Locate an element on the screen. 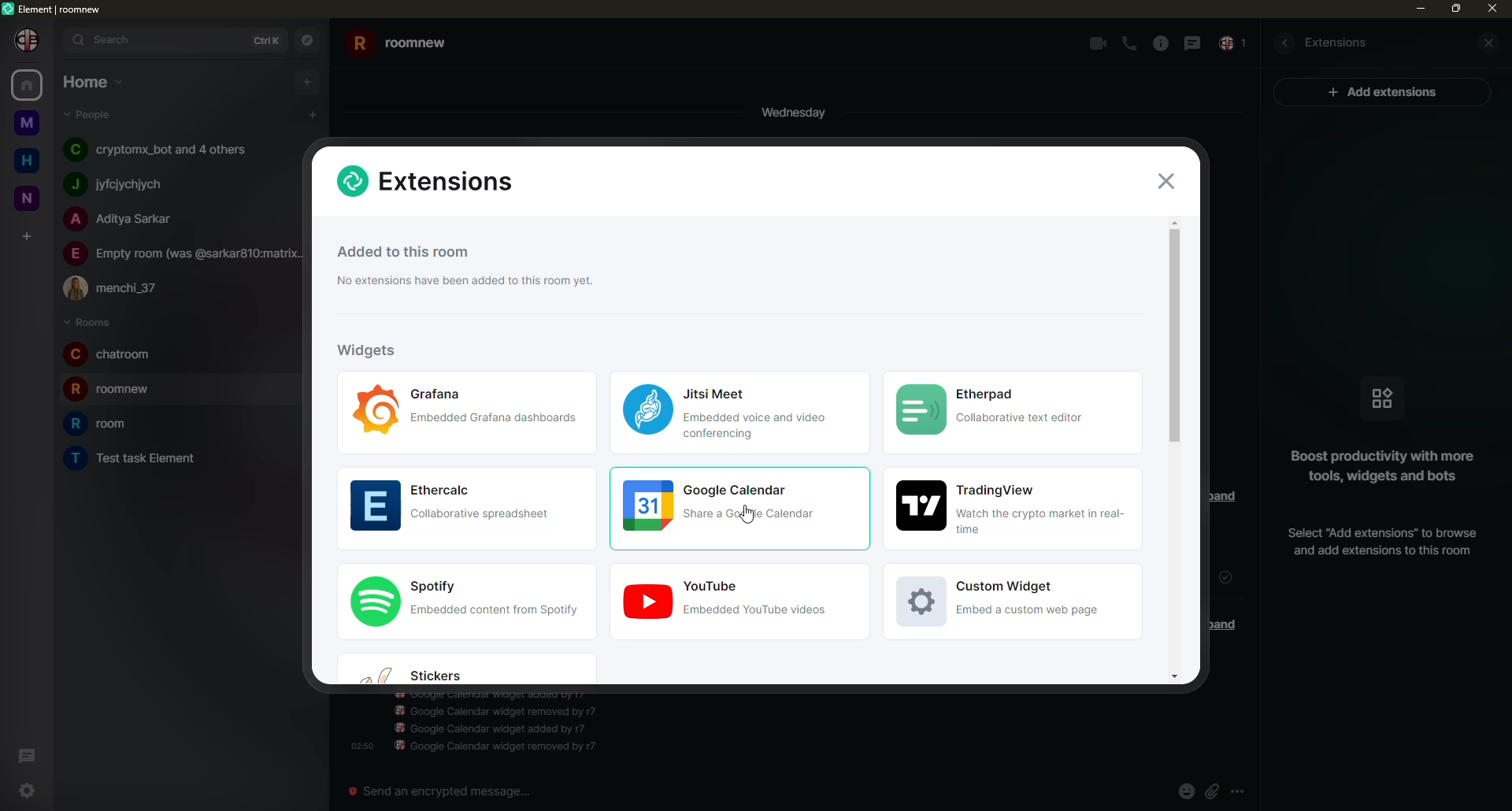 This screenshot has width=1512, height=811. add is located at coordinates (310, 113).